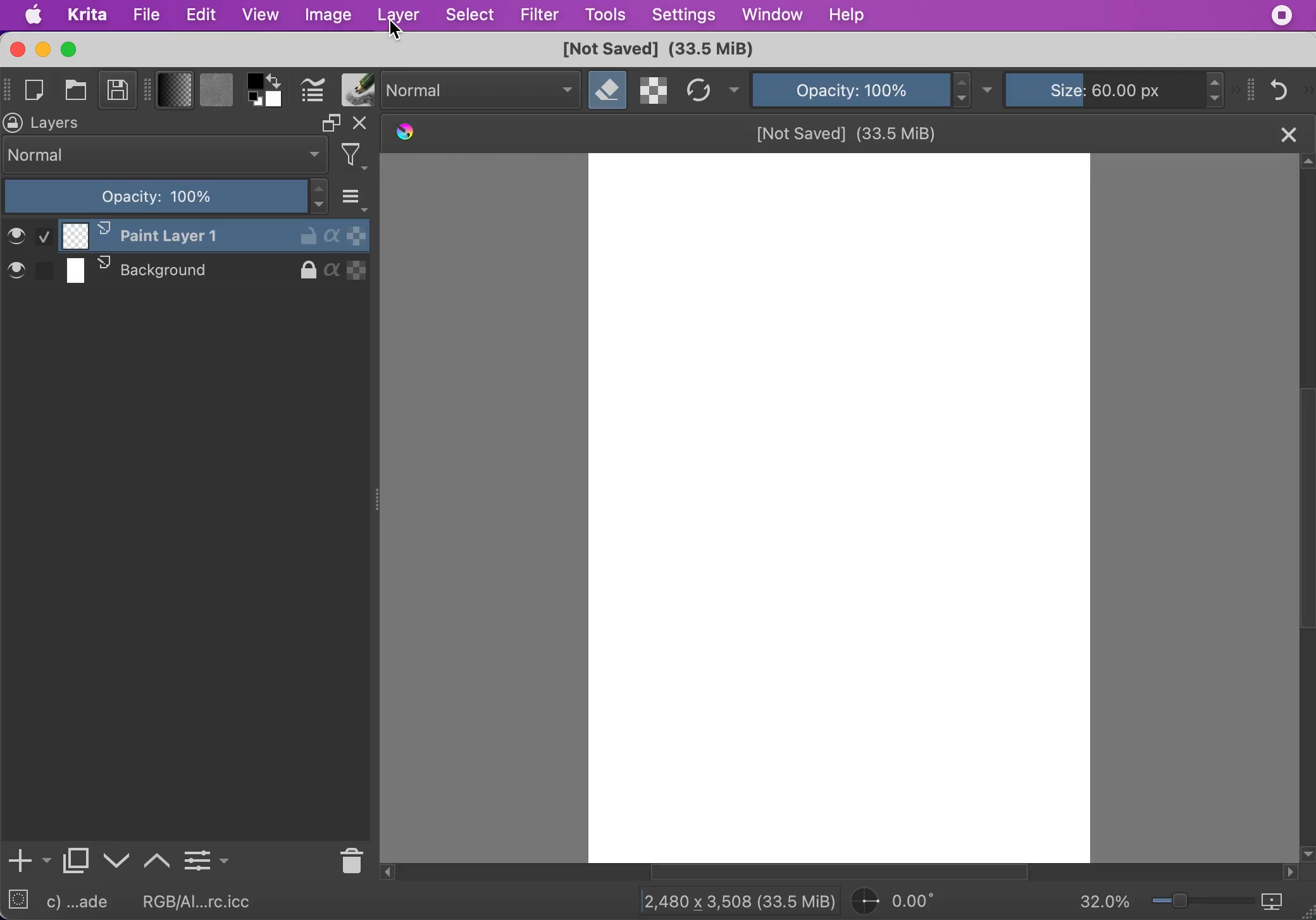  What do you see at coordinates (146, 15) in the screenshot?
I see `file` at bounding box center [146, 15].